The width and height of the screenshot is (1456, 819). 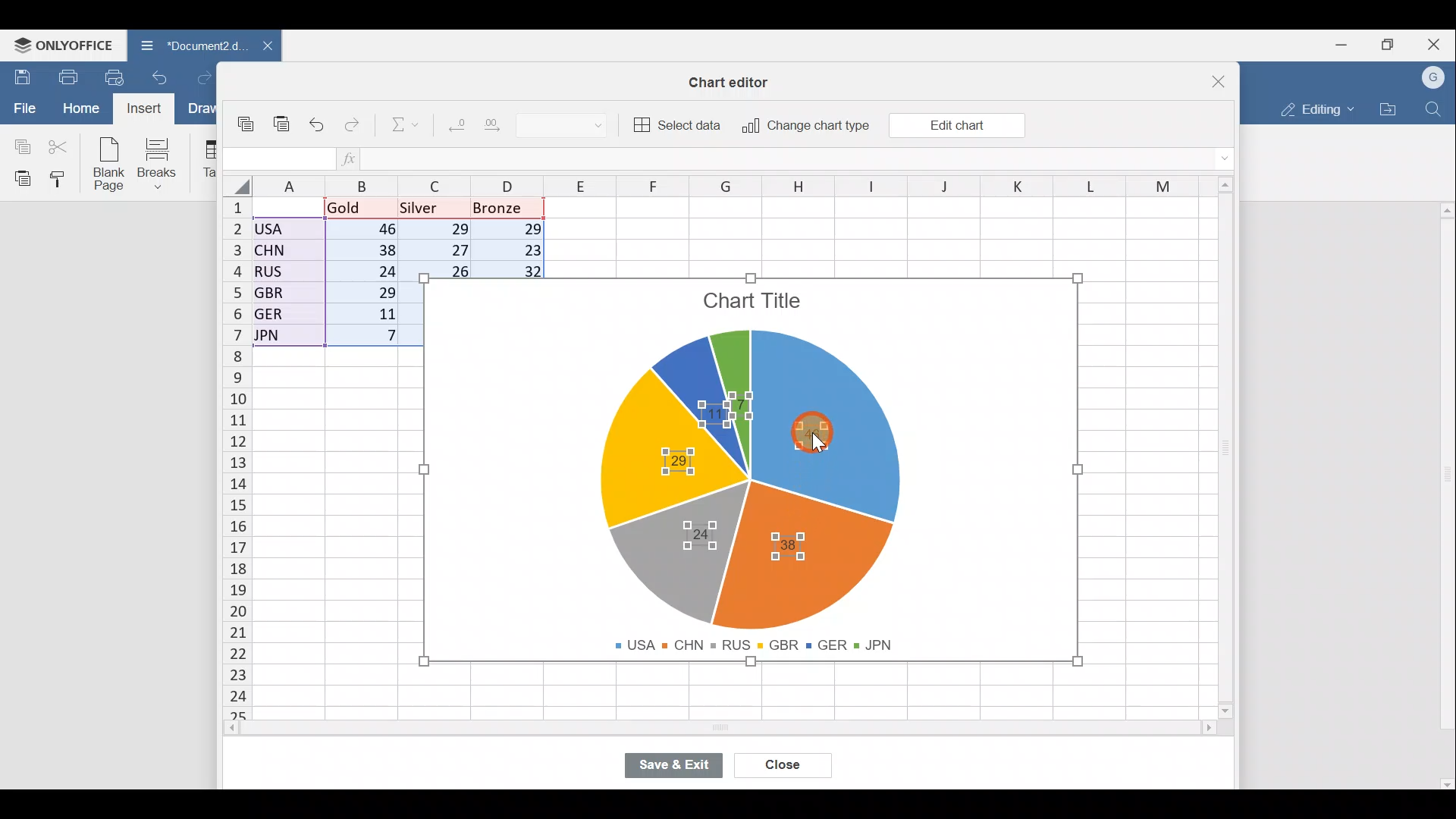 What do you see at coordinates (825, 438) in the screenshot?
I see `Cursor on chart label` at bounding box center [825, 438].